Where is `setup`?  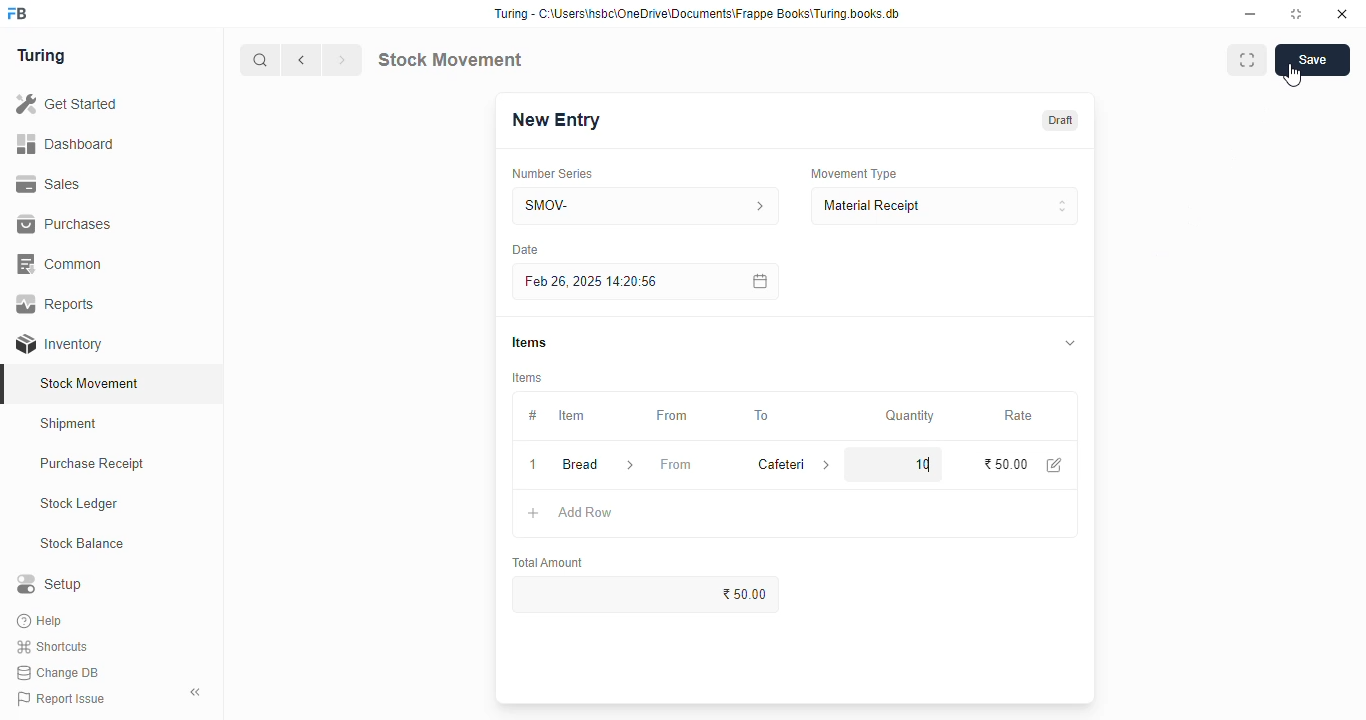
setup is located at coordinates (49, 583).